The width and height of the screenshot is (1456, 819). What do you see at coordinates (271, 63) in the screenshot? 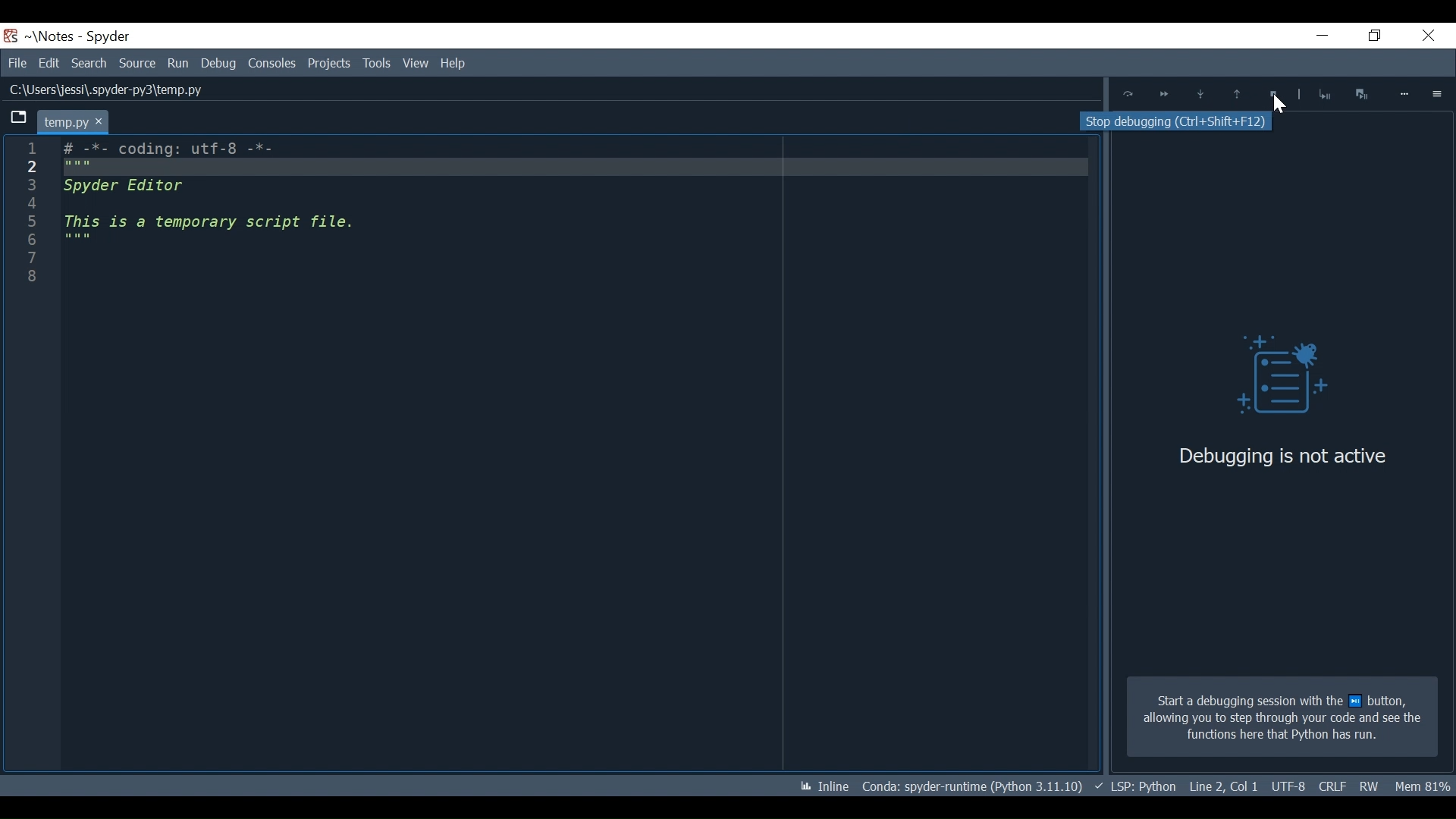
I see `Consoles` at bounding box center [271, 63].